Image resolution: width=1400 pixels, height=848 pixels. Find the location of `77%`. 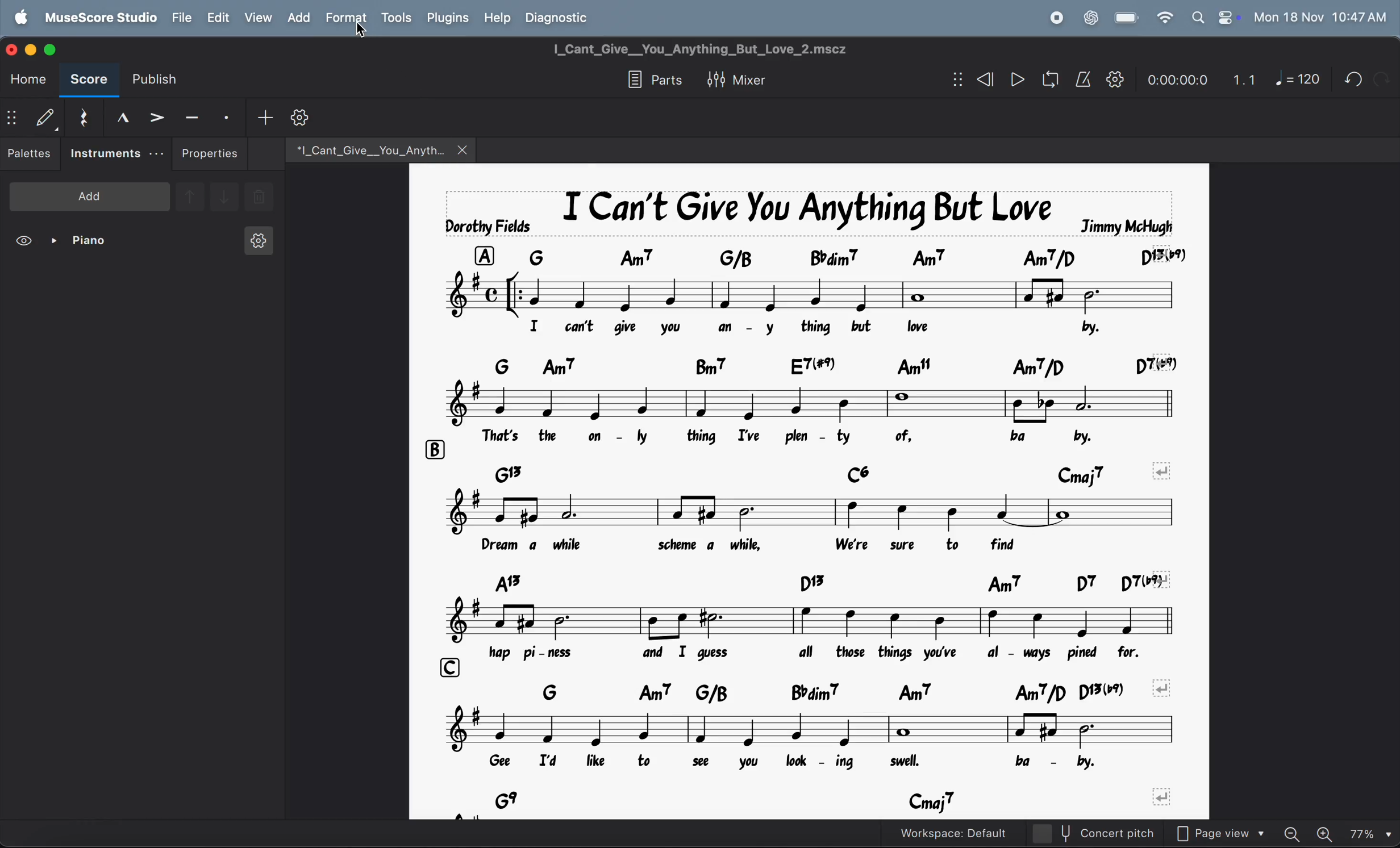

77% is located at coordinates (1370, 832).